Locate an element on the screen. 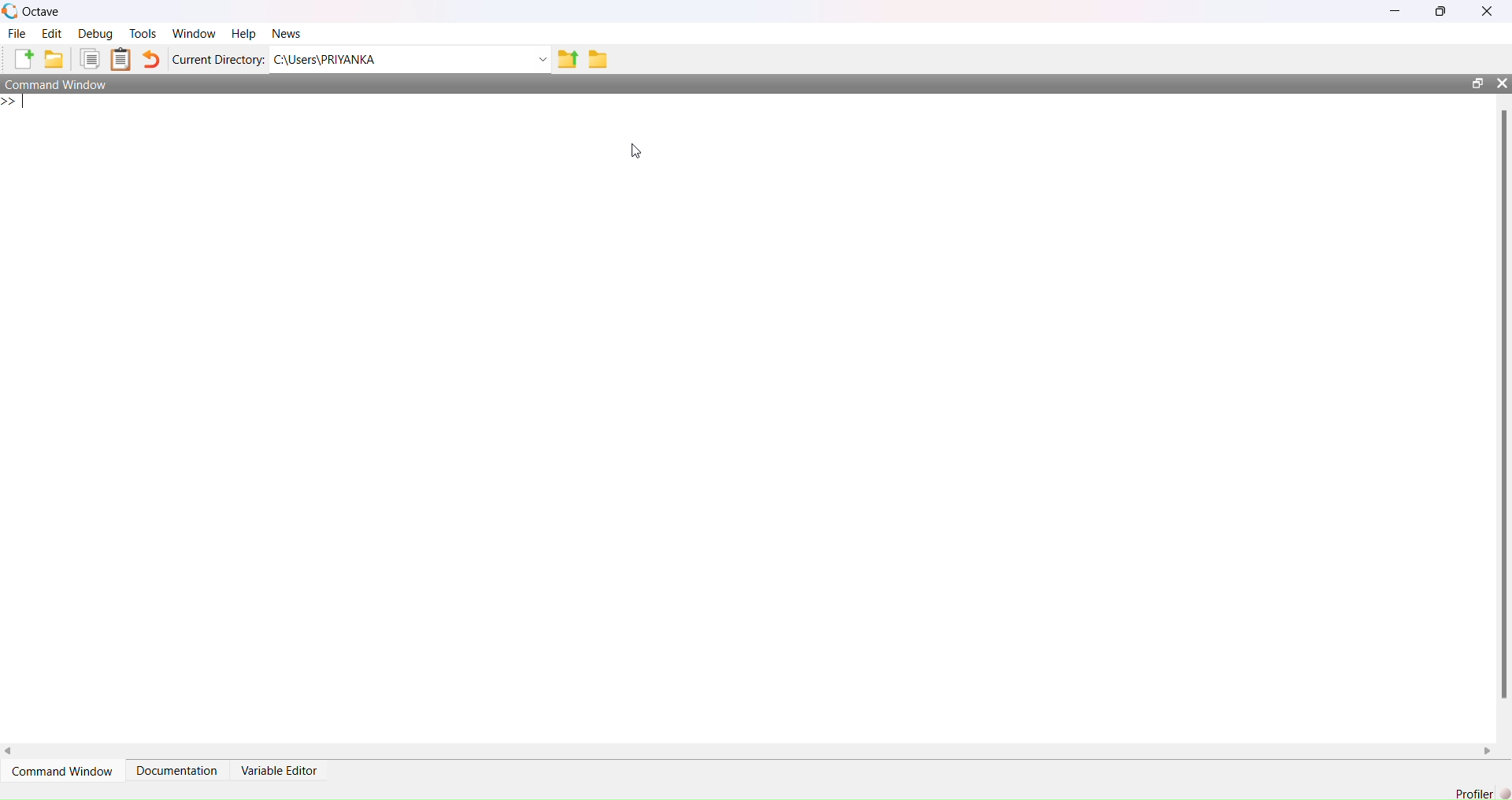  Enter directory name is located at coordinates (543, 60).